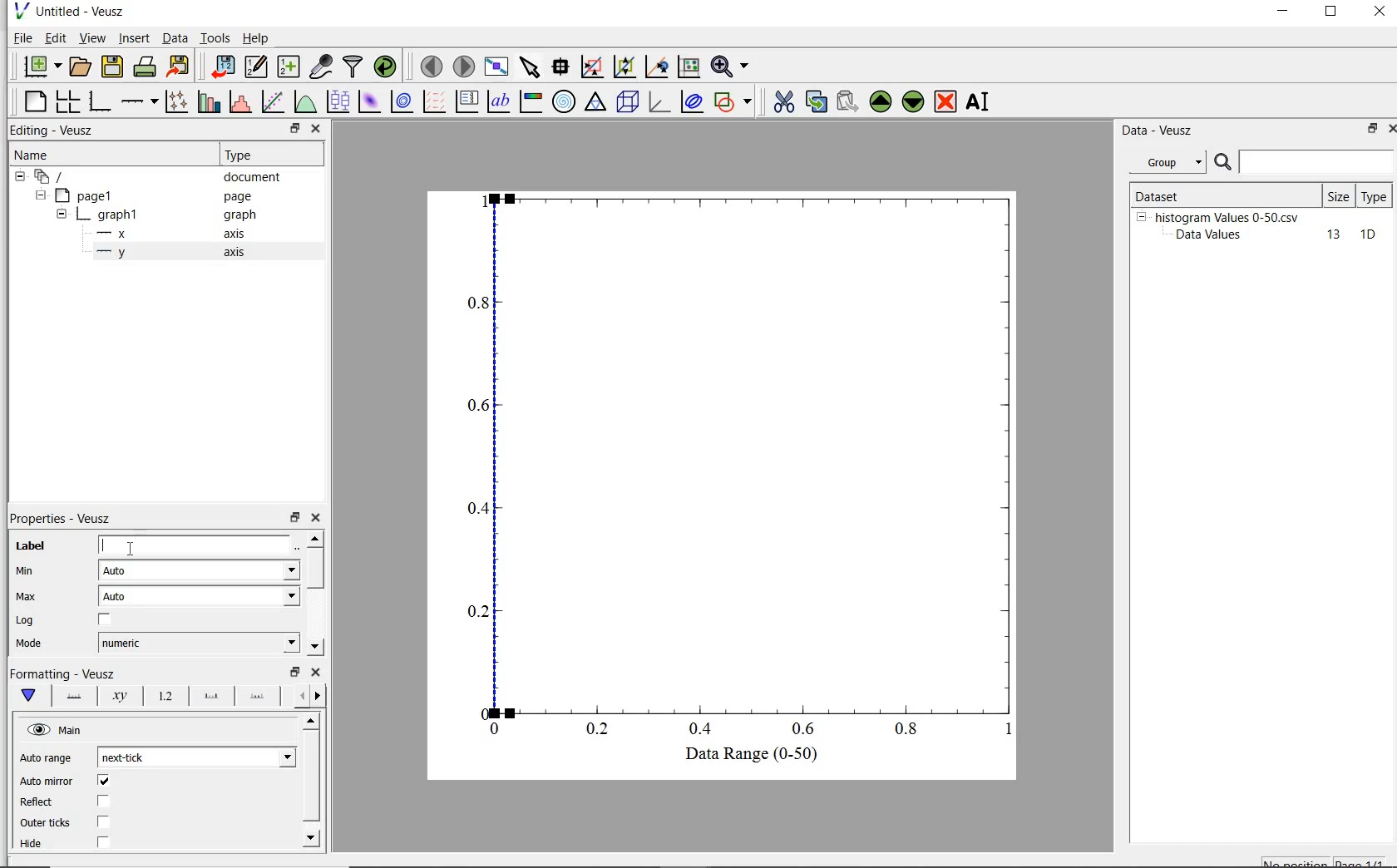 The image size is (1397, 868). What do you see at coordinates (1227, 216) in the screenshot?
I see `histogram Values 0-50.csv` at bounding box center [1227, 216].